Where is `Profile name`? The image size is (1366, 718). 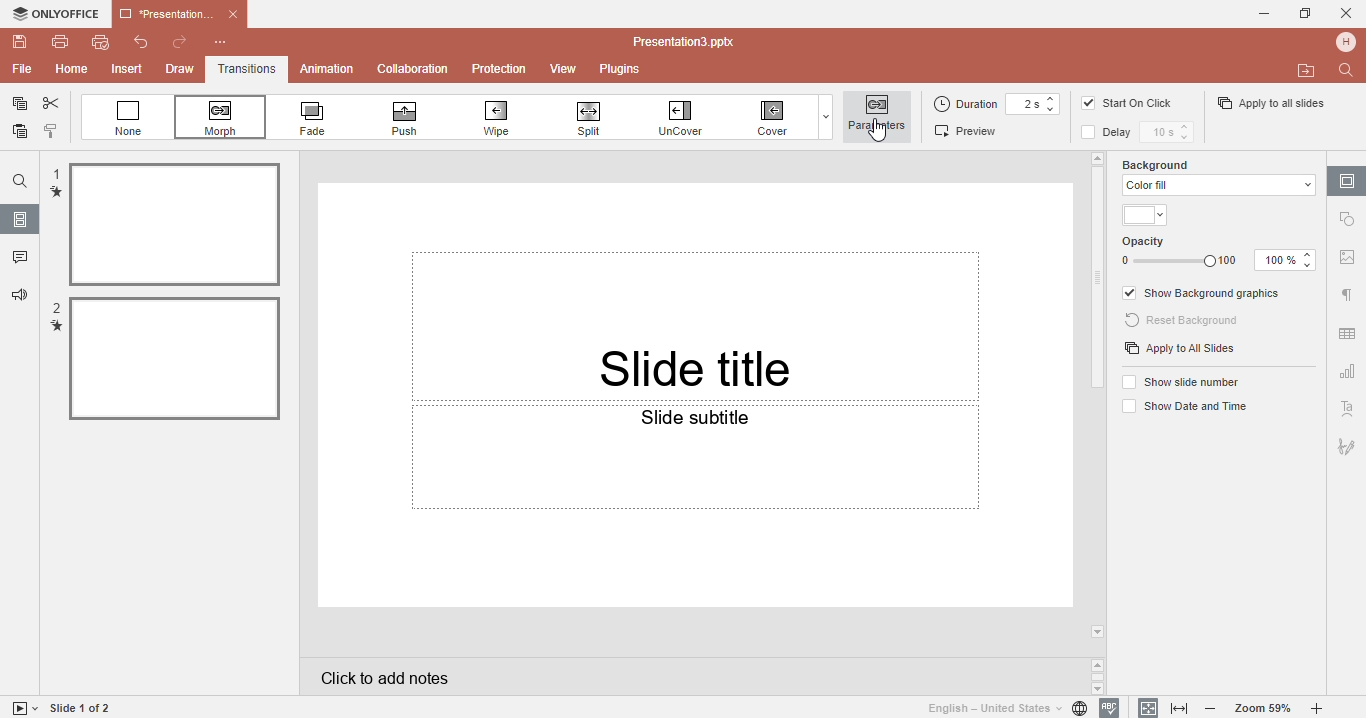 Profile name is located at coordinates (1348, 41).